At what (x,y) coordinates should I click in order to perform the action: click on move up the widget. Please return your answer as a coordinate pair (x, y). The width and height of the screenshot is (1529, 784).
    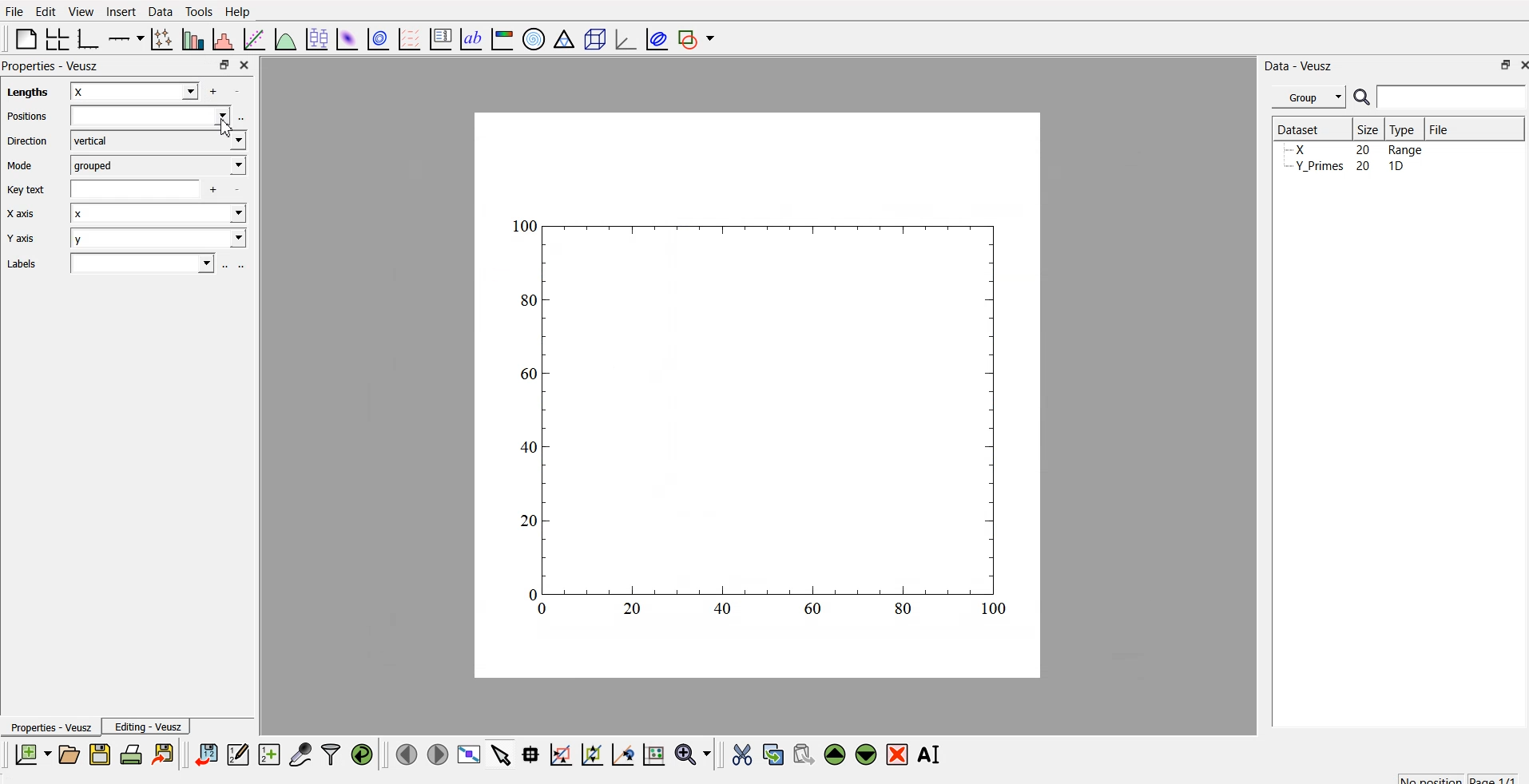
    Looking at the image, I should click on (833, 754).